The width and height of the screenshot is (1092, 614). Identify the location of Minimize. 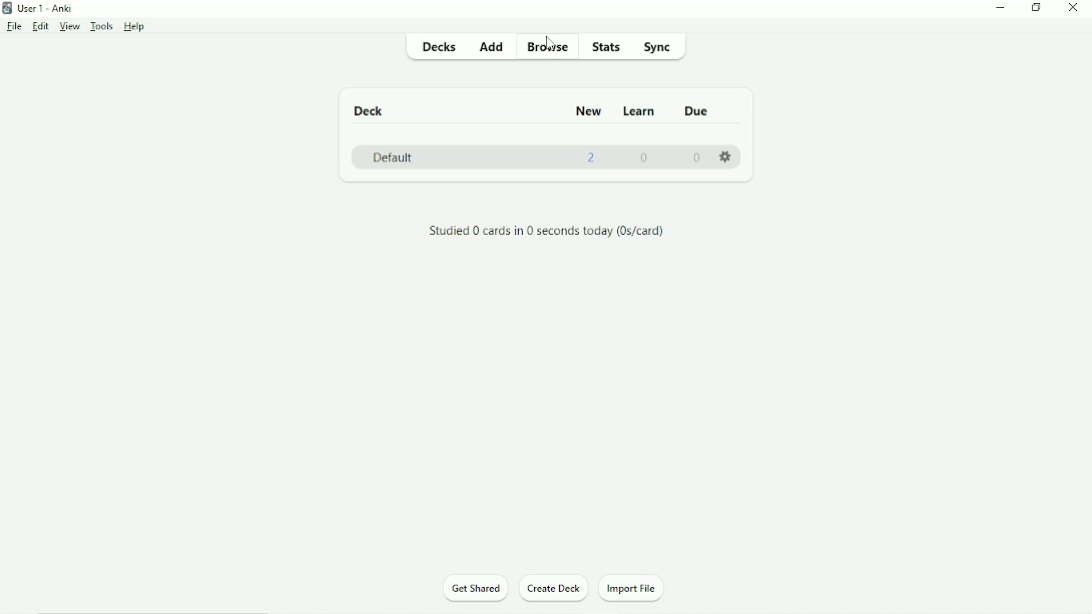
(1001, 9).